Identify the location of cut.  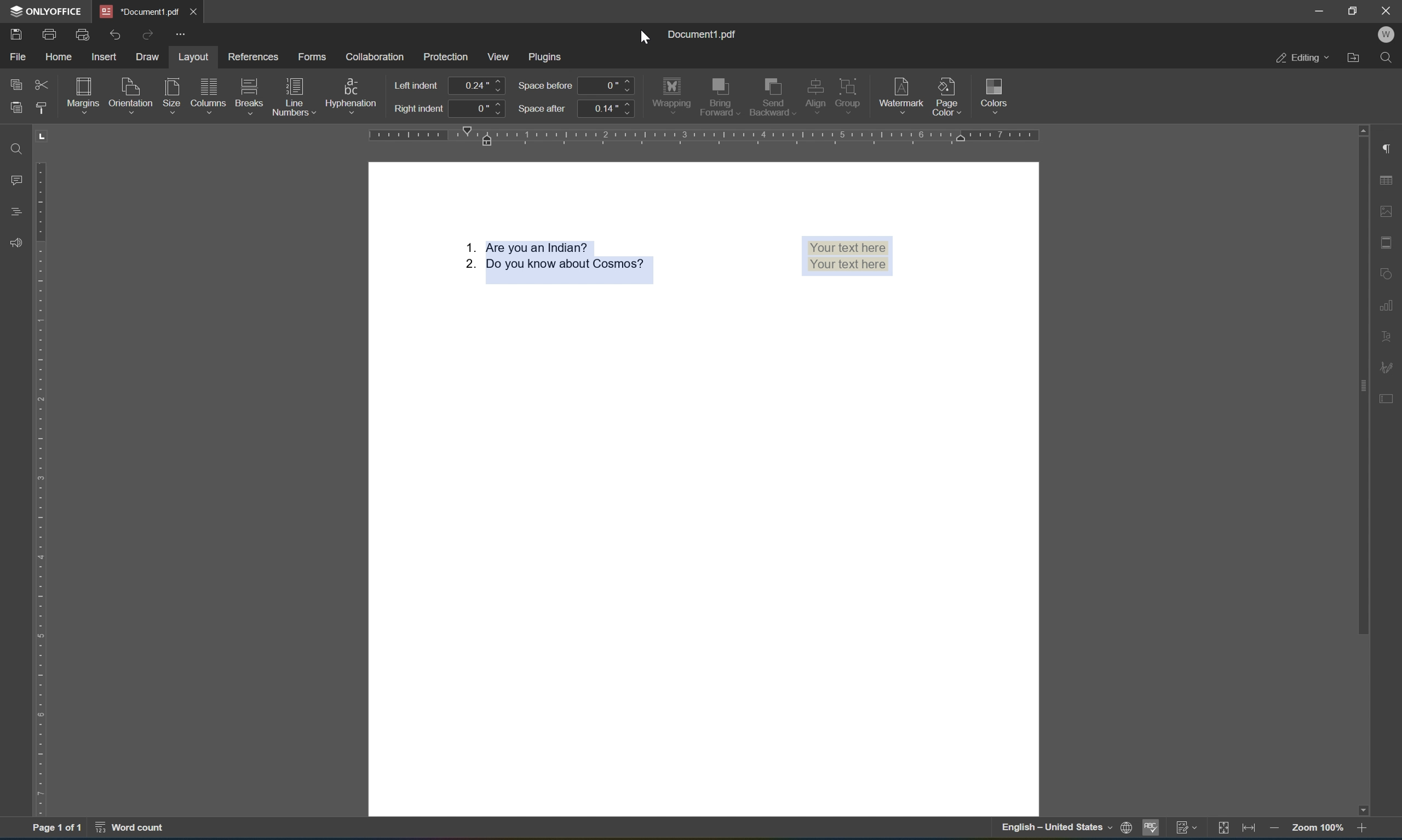
(41, 84).